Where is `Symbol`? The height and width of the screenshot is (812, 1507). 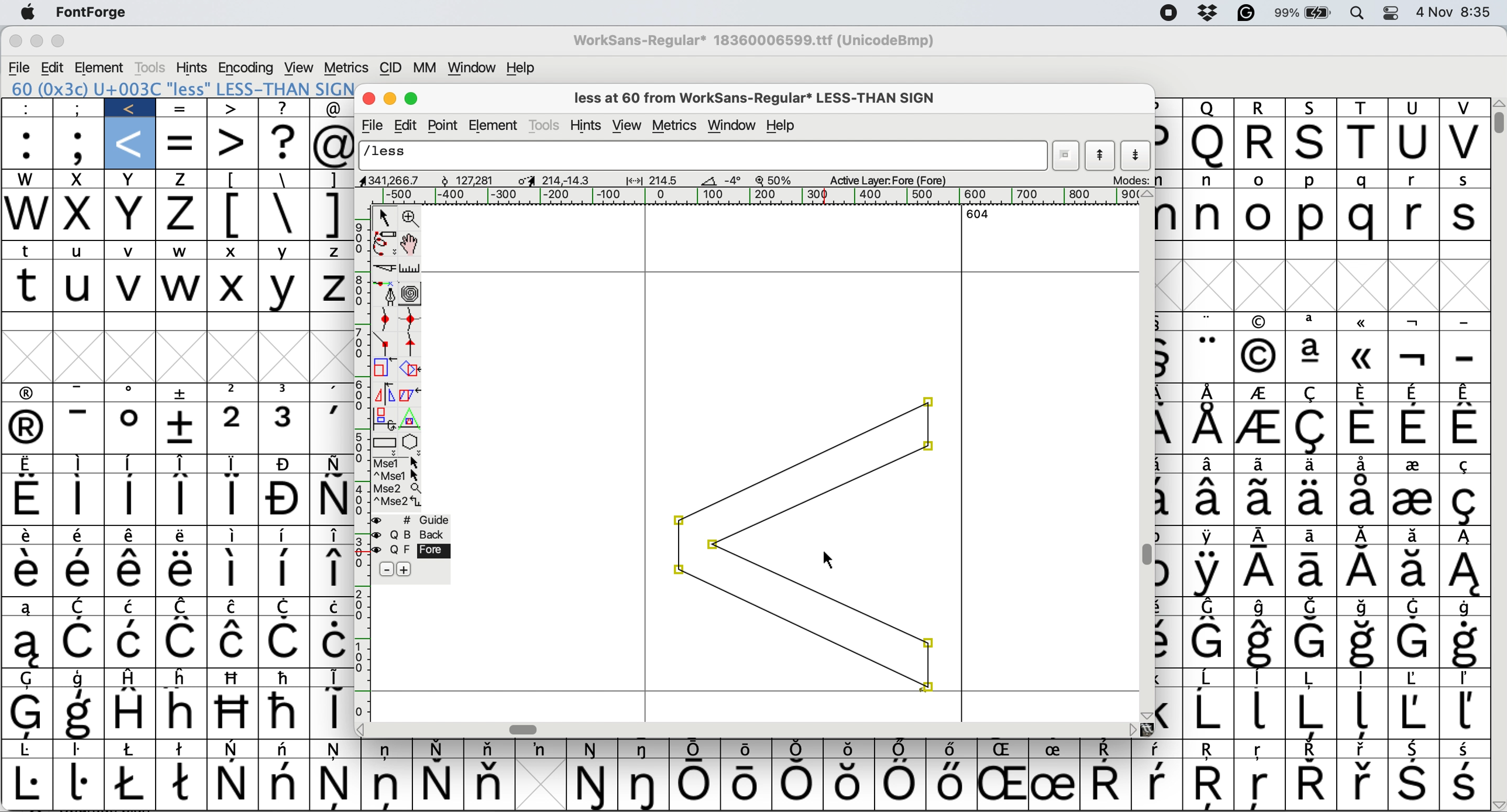
Symbol is located at coordinates (1315, 573).